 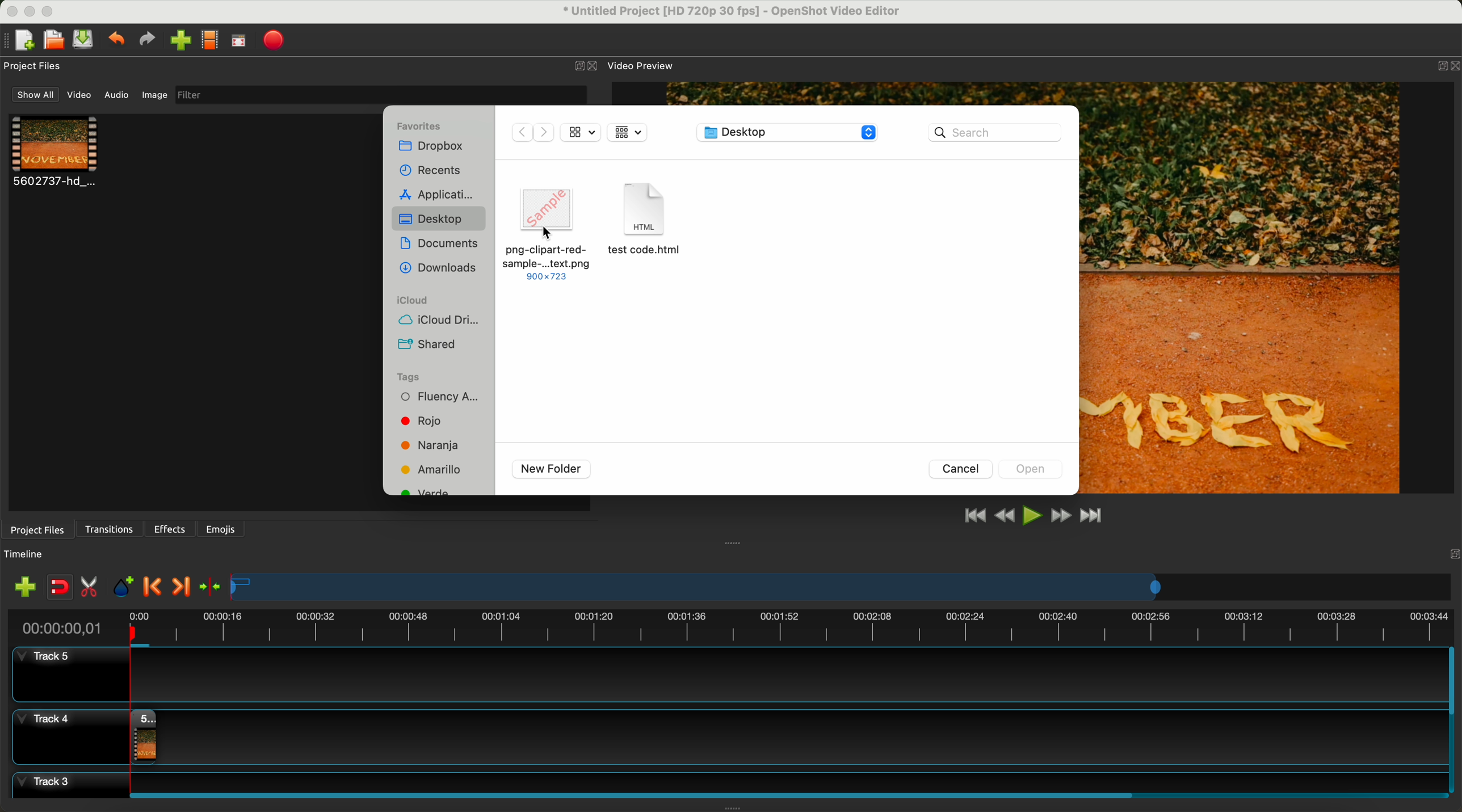 What do you see at coordinates (439, 268) in the screenshot?
I see `downloads` at bounding box center [439, 268].